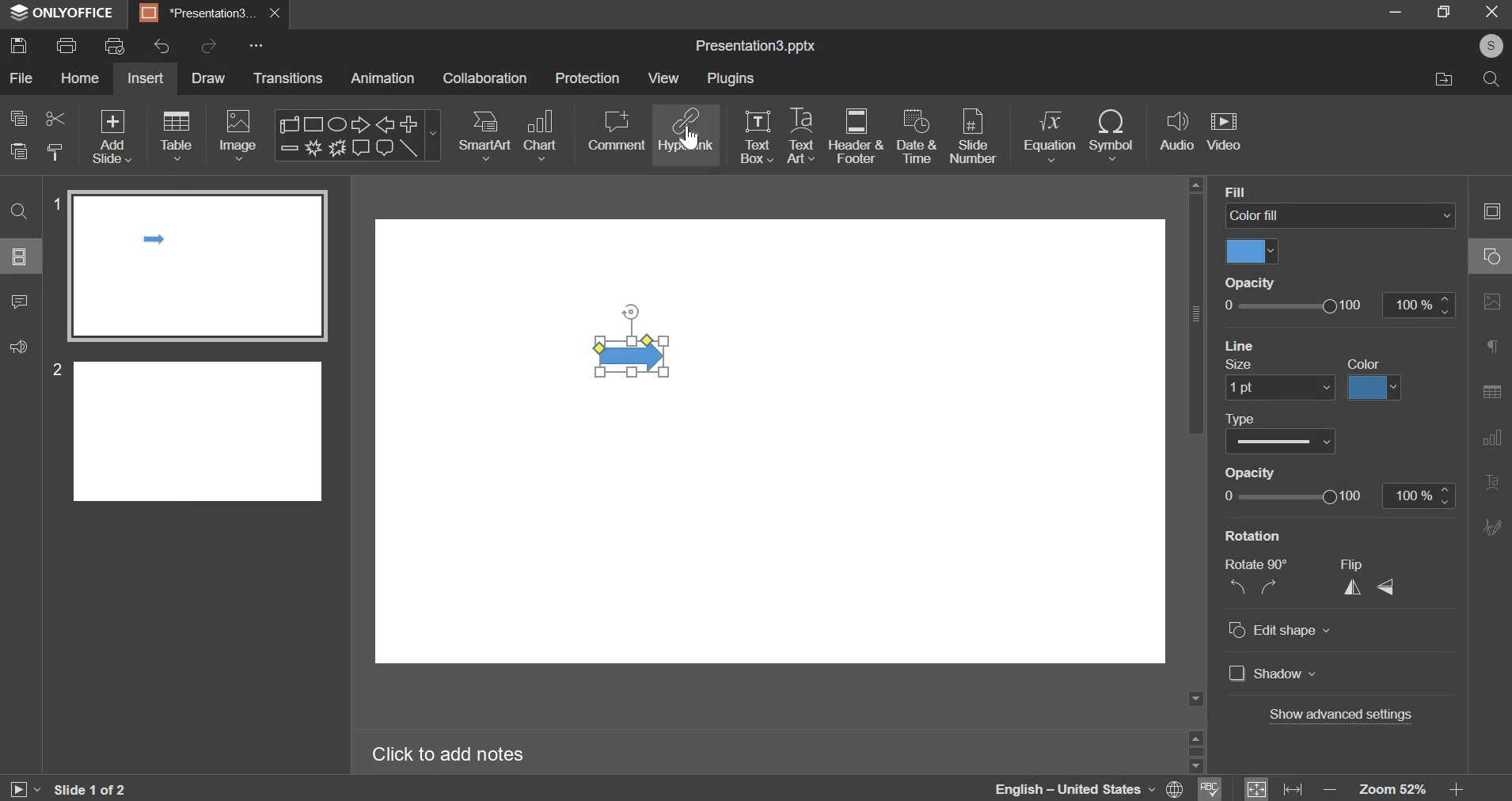 The width and height of the screenshot is (1512, 801). Describe the element at coordinates (178, 135) in the screenshot. I see `table` at that location.